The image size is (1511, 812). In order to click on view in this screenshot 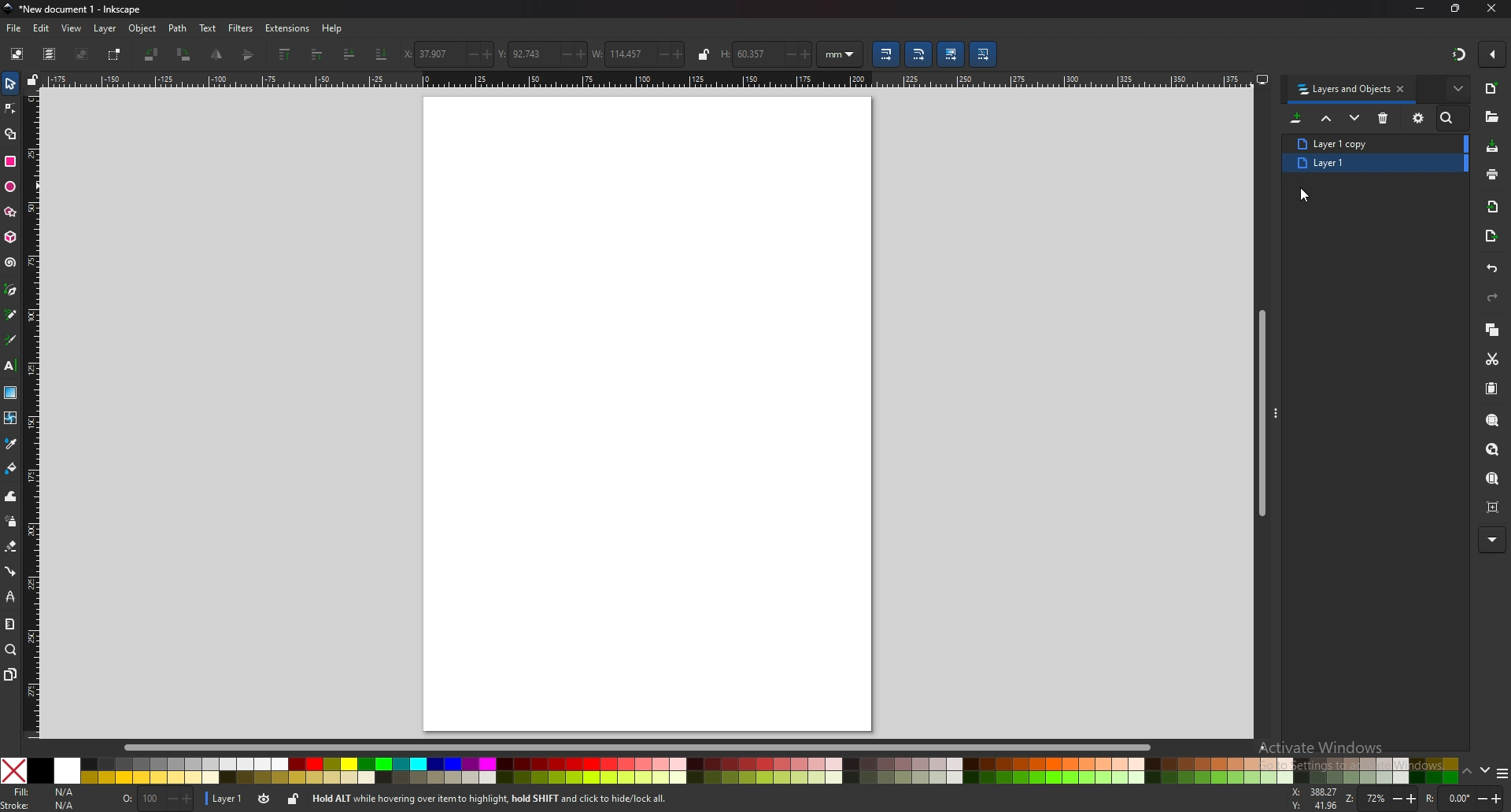, I will do `click(72, 28)`.